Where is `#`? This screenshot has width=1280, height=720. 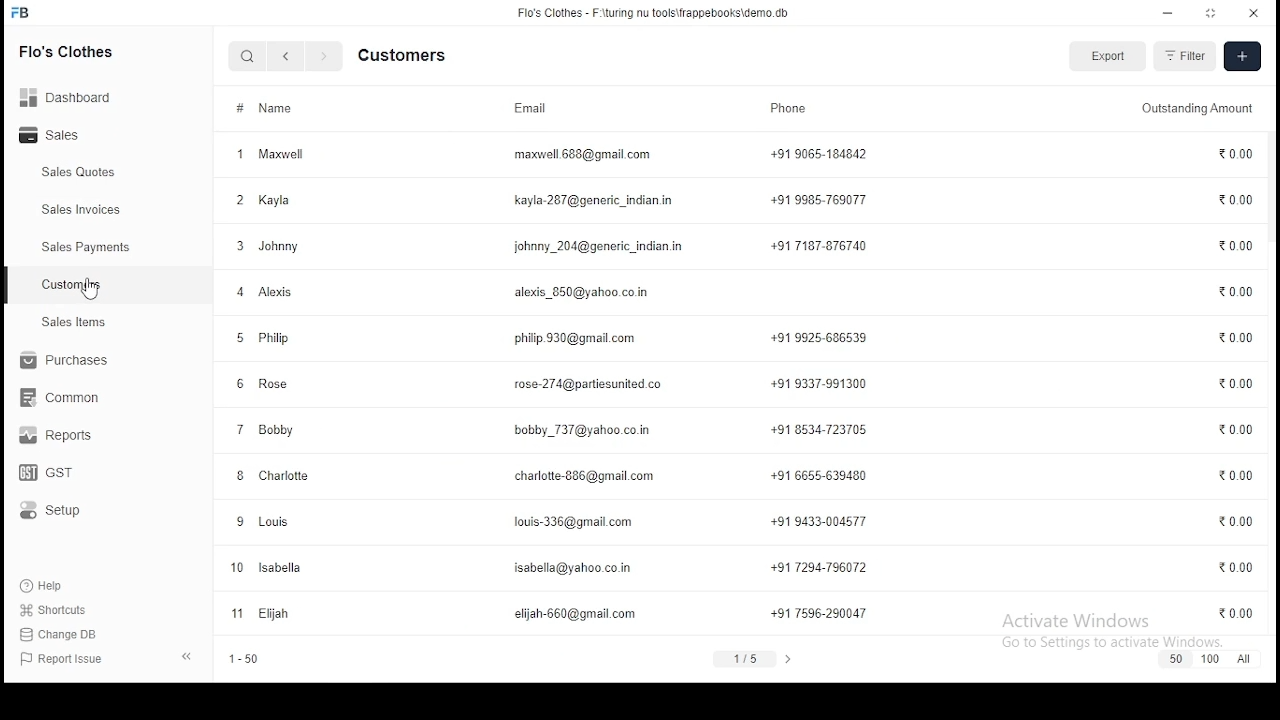
# is located at coordinates (237, 109).